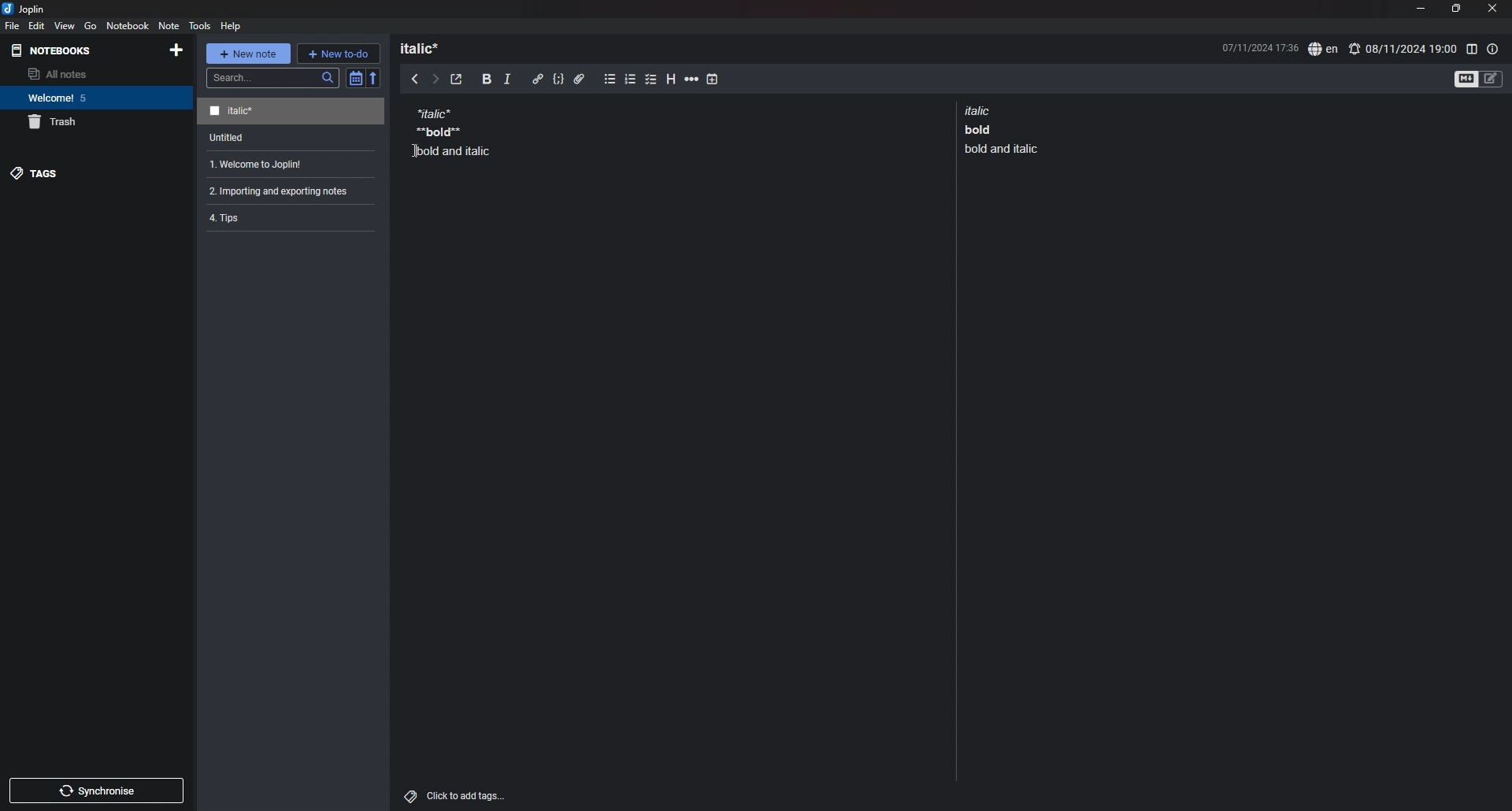 The height and width of the screenshot is (811, 1512). Describe the element at coordinates (487, 80) in the screenshot. I see `bold` at that location.